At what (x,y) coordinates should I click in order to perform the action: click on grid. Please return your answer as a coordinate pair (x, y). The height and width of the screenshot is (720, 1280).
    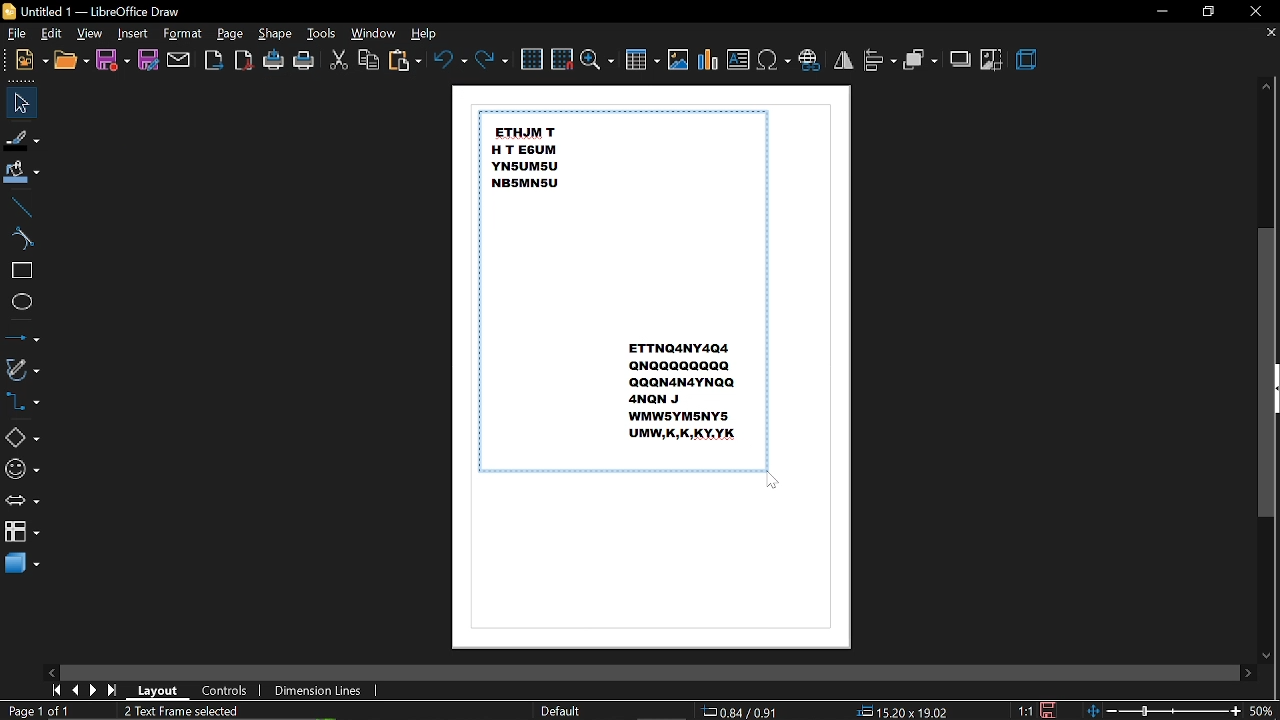
    Looking at the image, I should click on (532, 58).